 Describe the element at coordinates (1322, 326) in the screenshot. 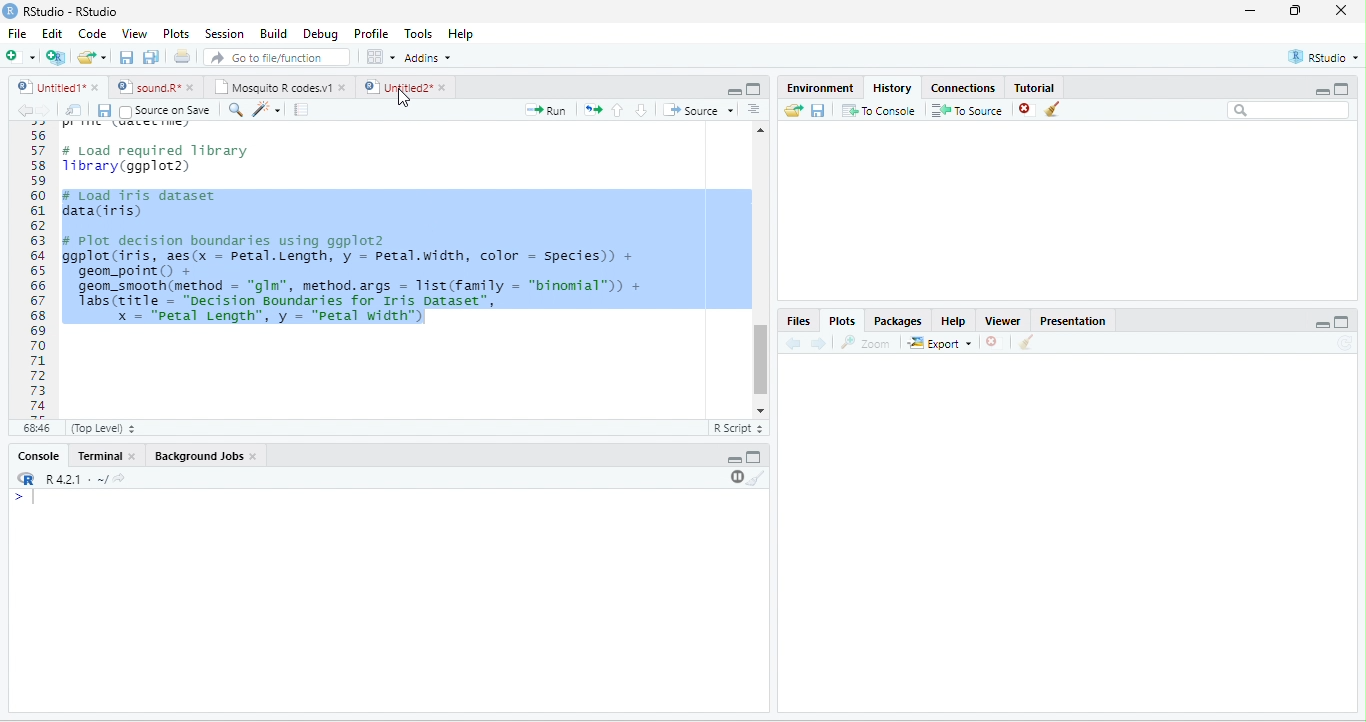

I see `Minimize` at that location.